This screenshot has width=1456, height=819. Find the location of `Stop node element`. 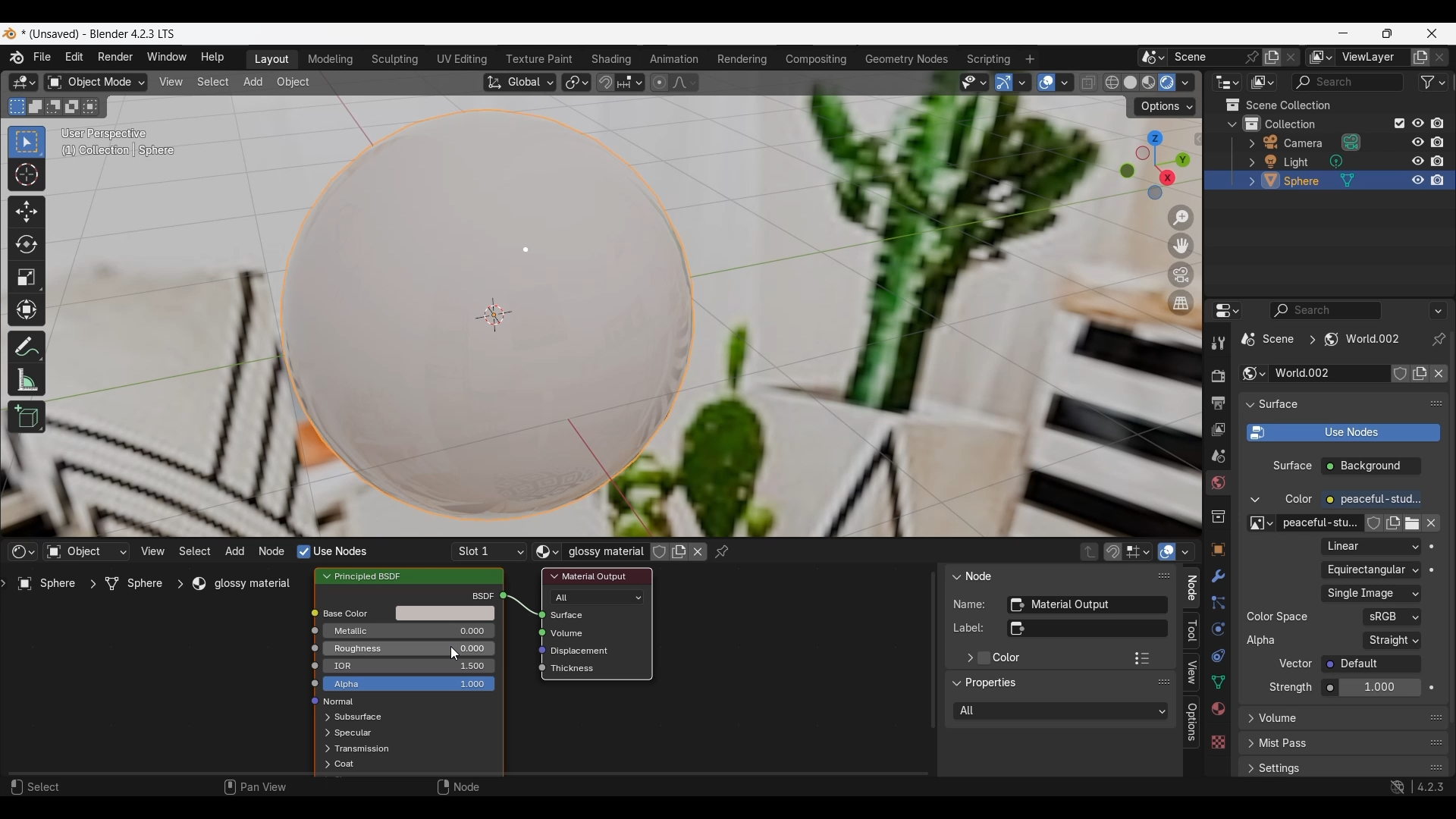

Stop node element is located at coordinates (1137, 551).